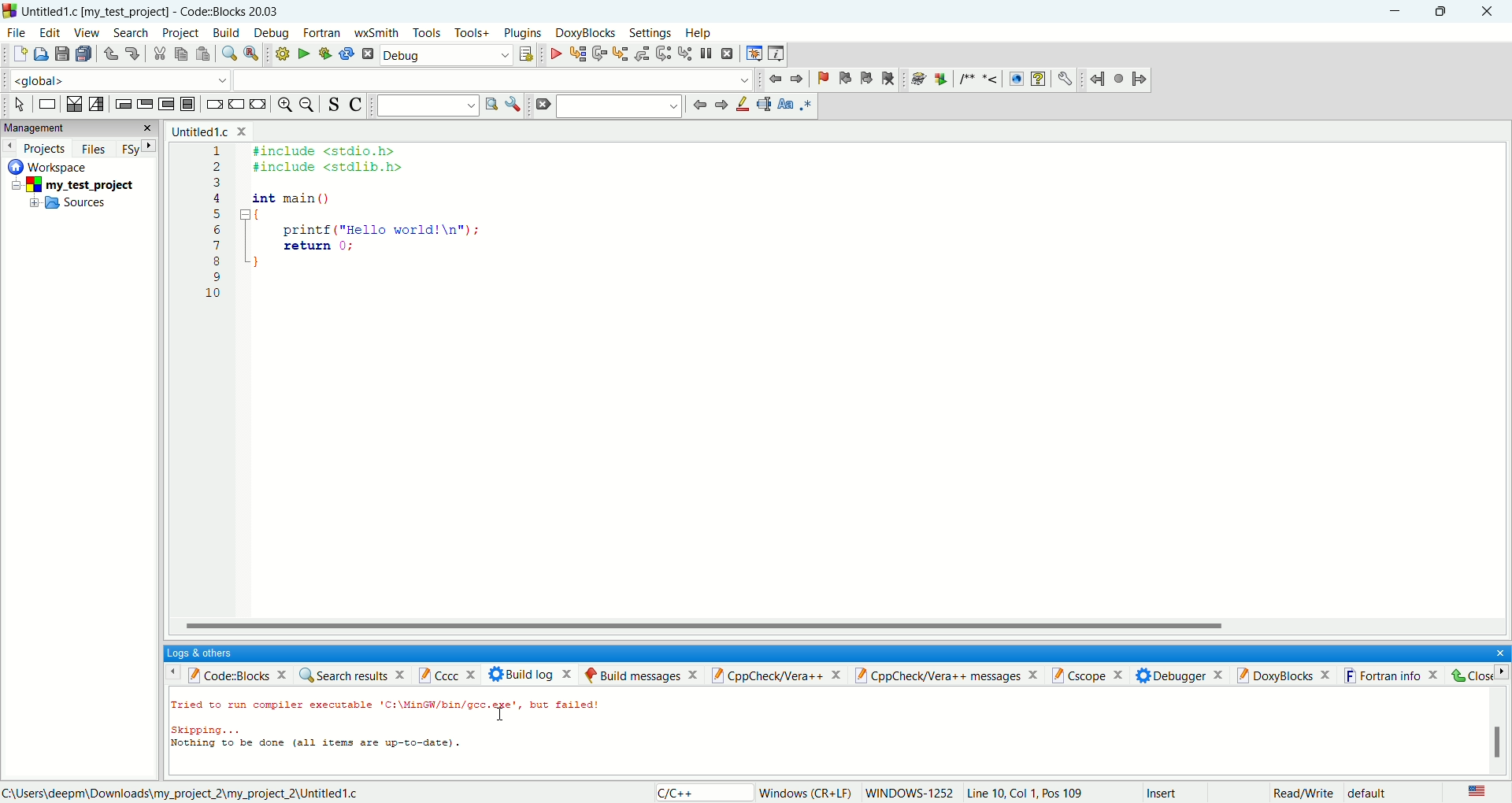 The height and width of the screenshot is (803, 1512). I want to click on undo, so click(108, 54).